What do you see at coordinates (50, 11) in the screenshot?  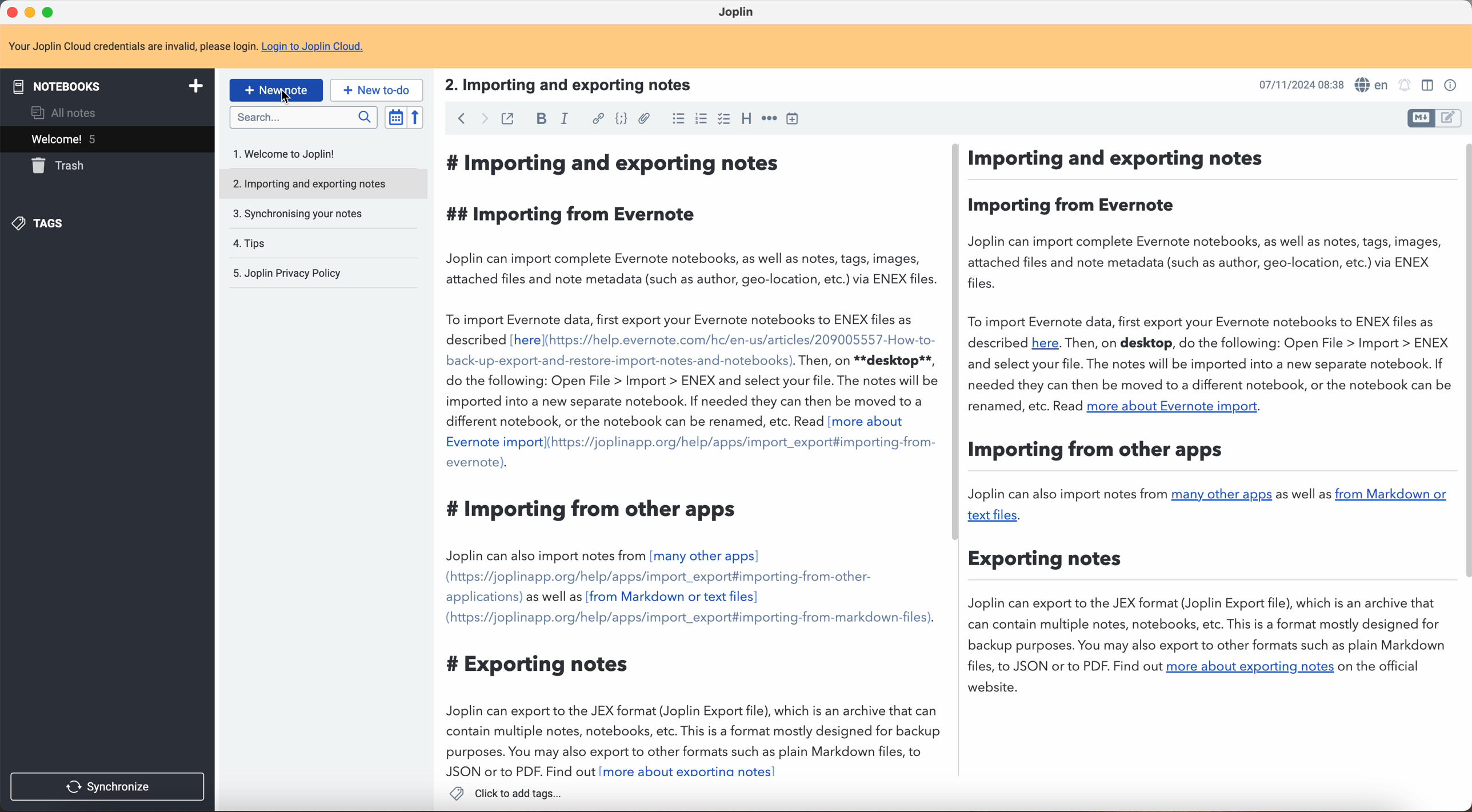 I see `maximize program` at bounding box center [50, 11].